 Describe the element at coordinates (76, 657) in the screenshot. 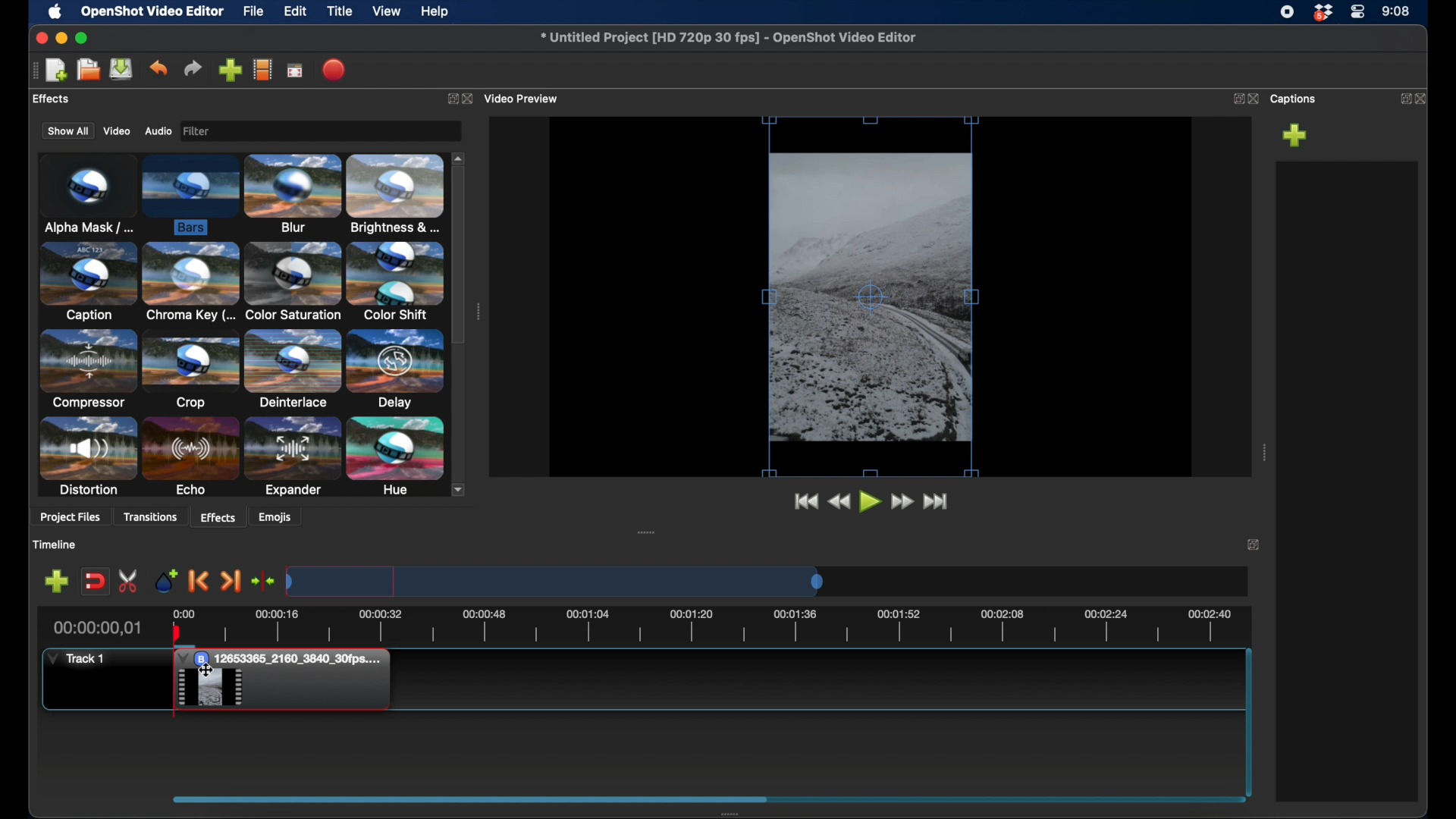

I see `track 1` at that location.